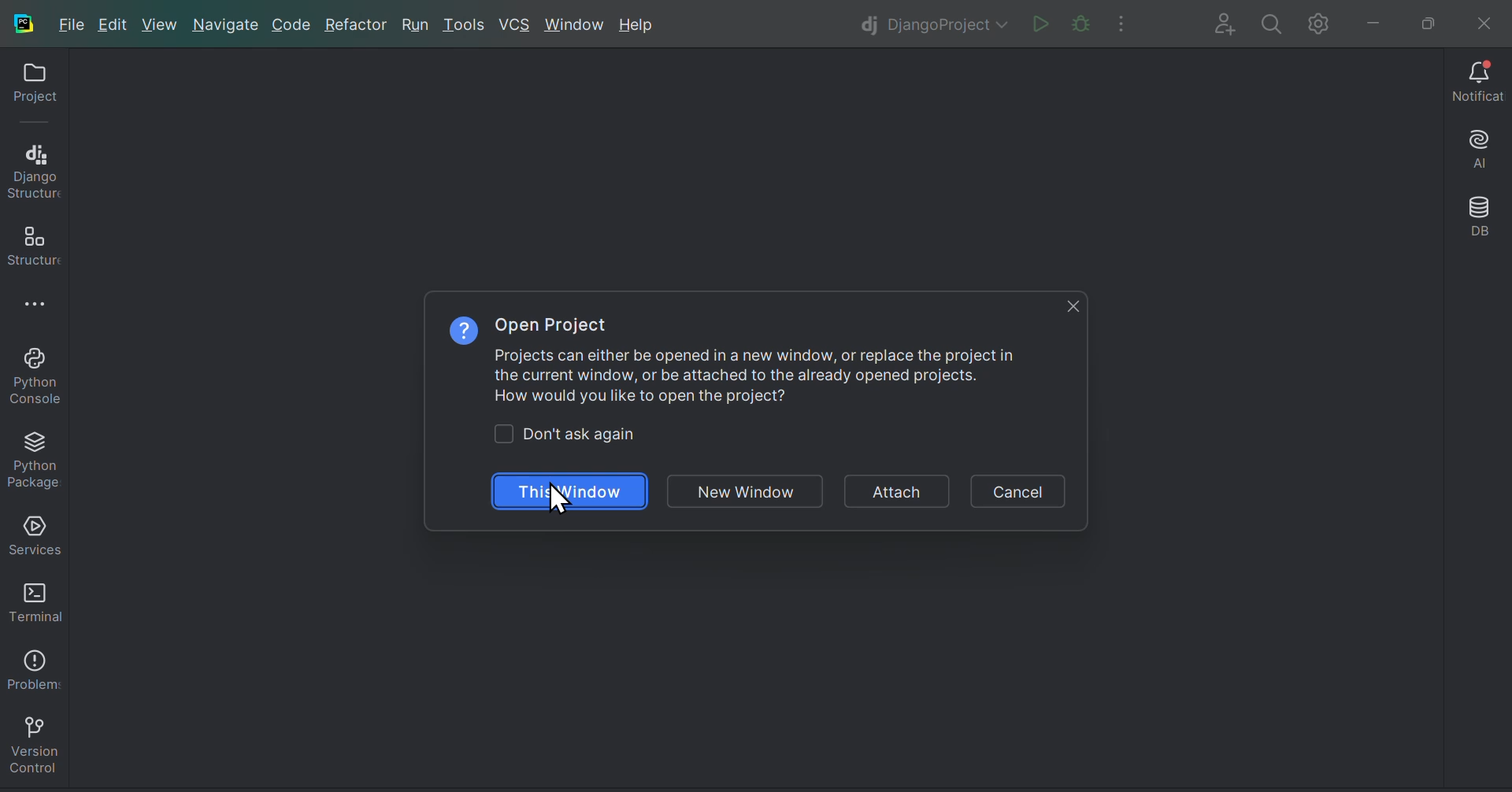 The height and width of the screenshot is (792, 1512). I want to click on This window, so click(575, 491).